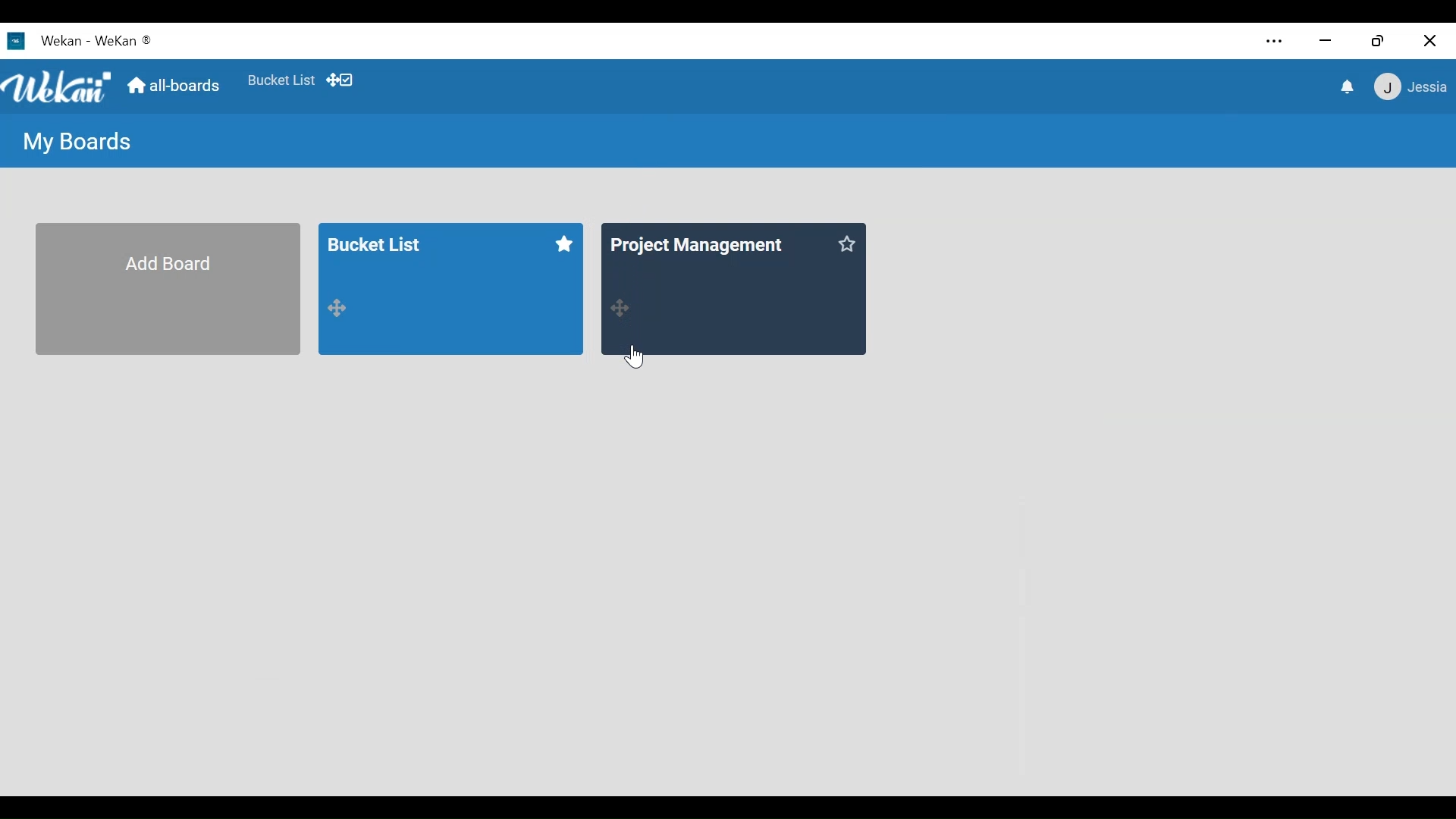 This screenshot has height=819, width=1456. What do you see at coordinates (621, 306) in the screenshot?
I see `action` at bounding box center [621, 306].